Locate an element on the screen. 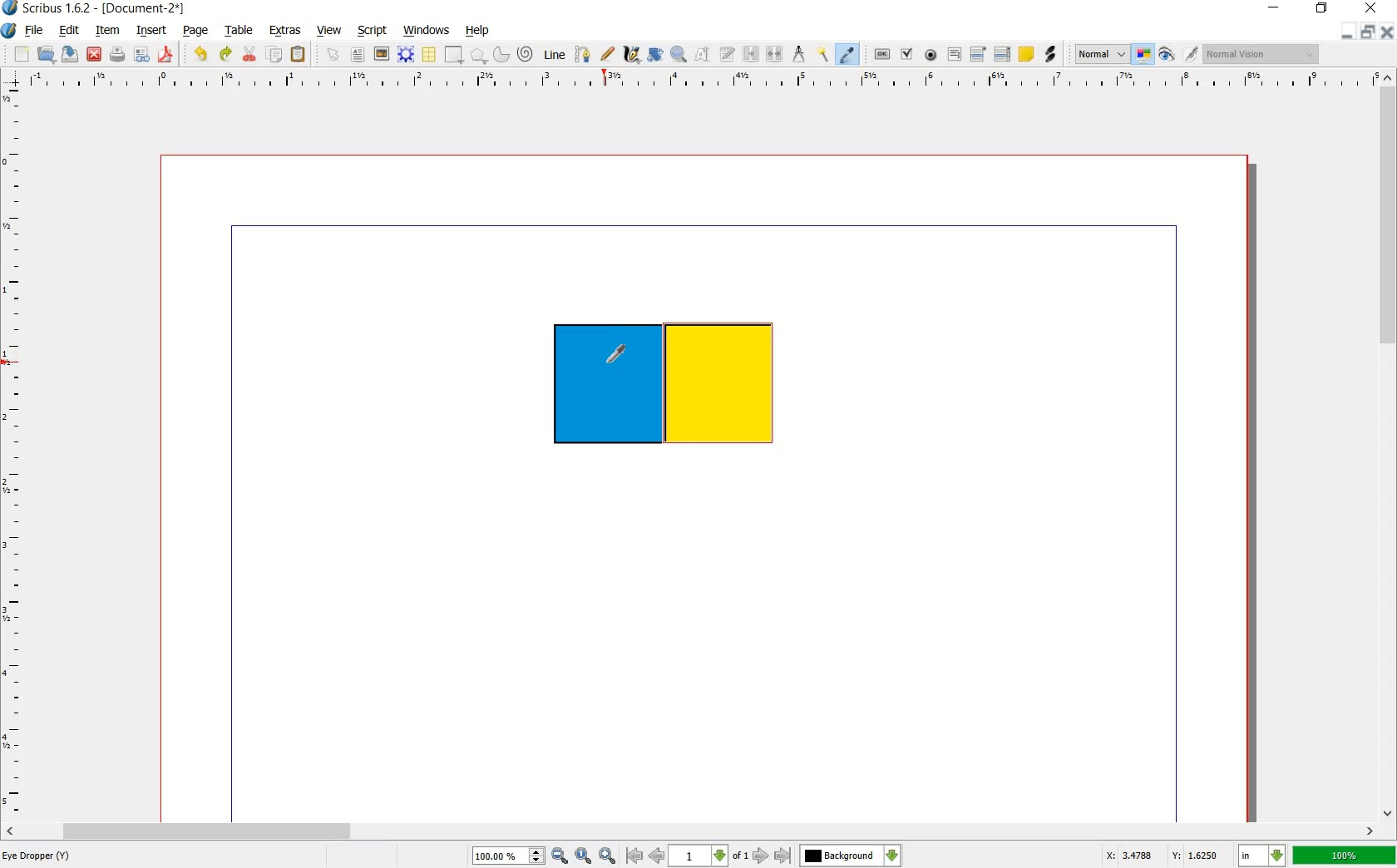  polygon is located at coordinates (478, 56).